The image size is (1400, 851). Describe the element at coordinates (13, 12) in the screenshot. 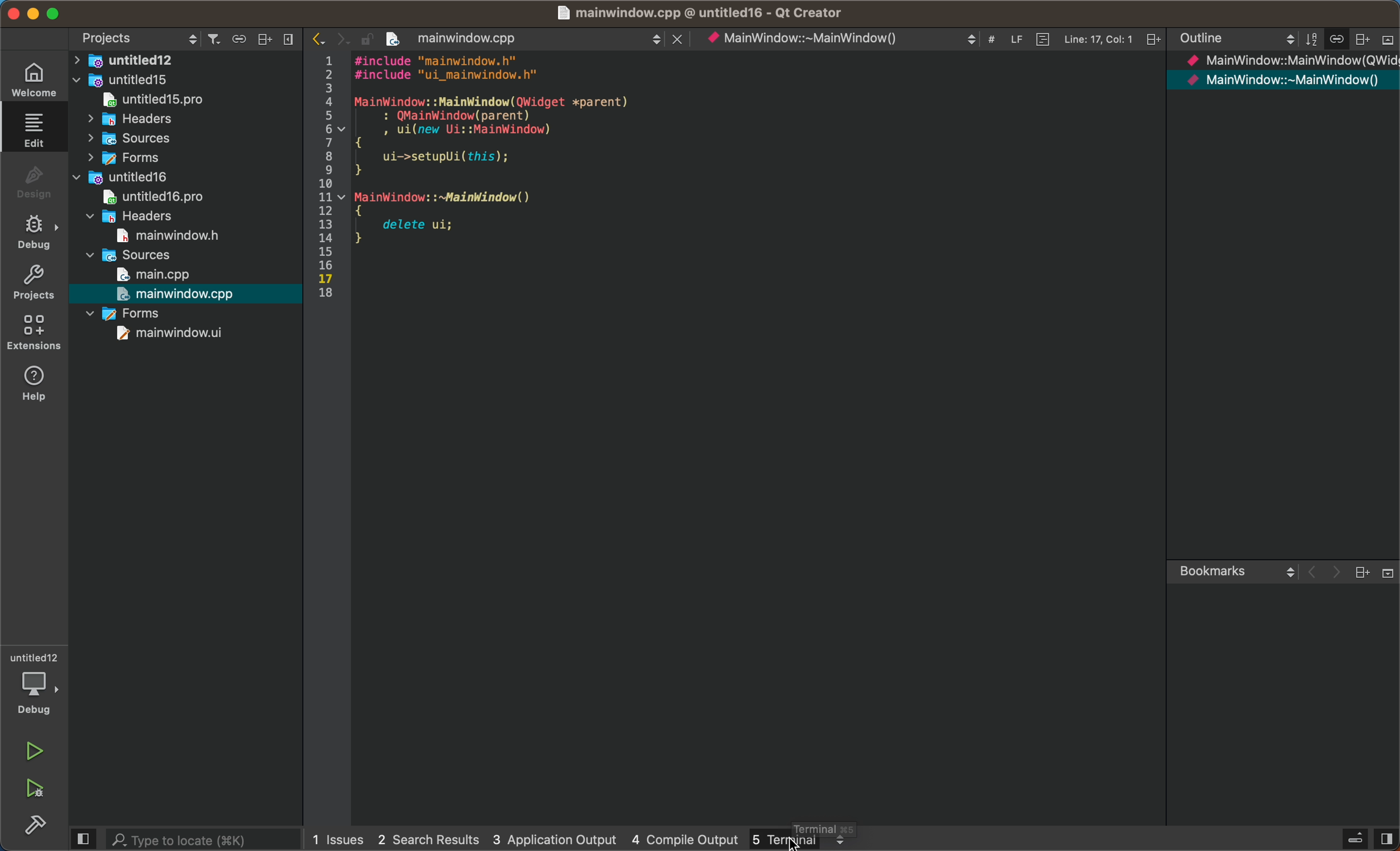

I see `minimize` at that location.